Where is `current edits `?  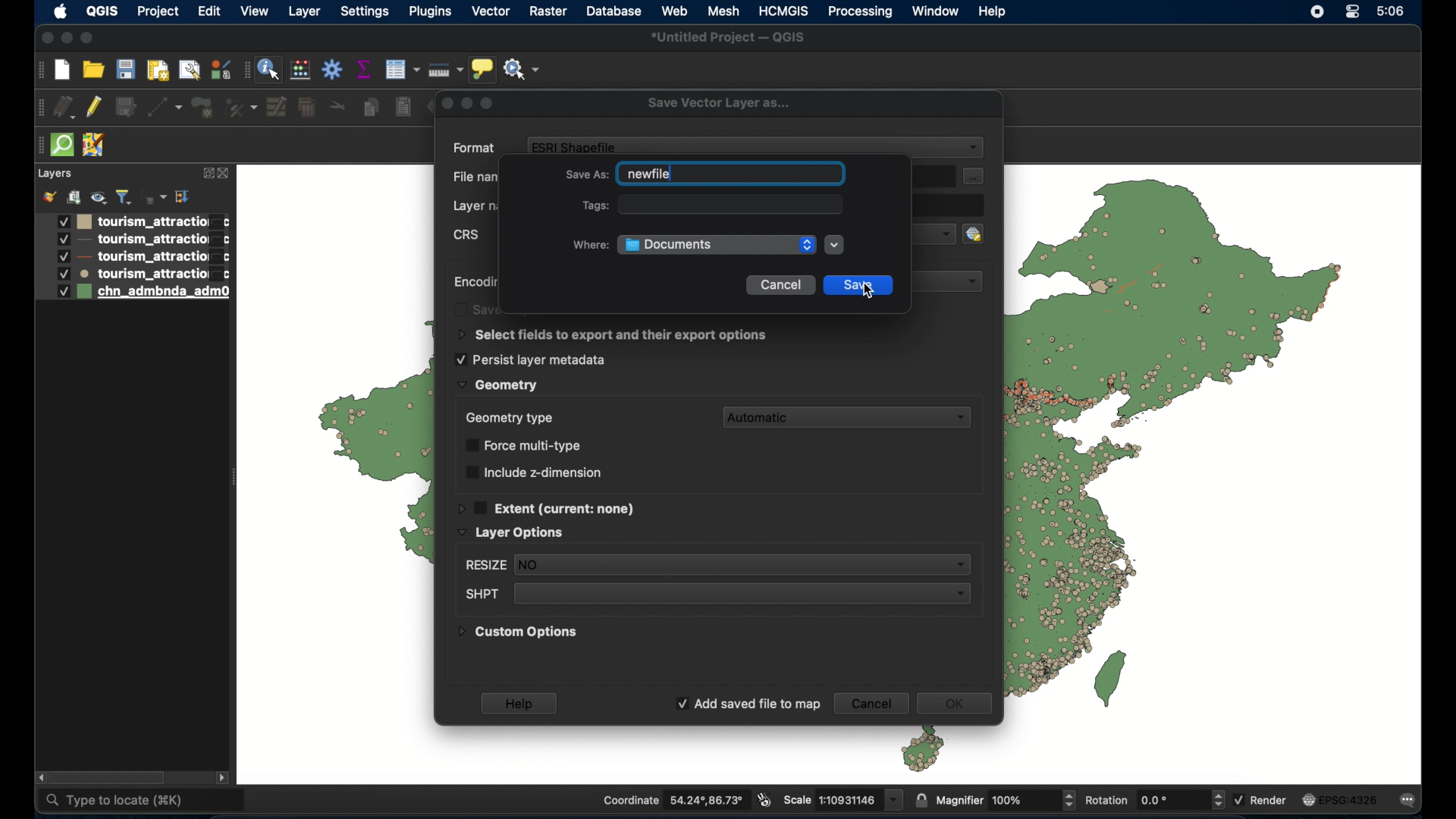
current edits  is located at coordinates (65, 108).